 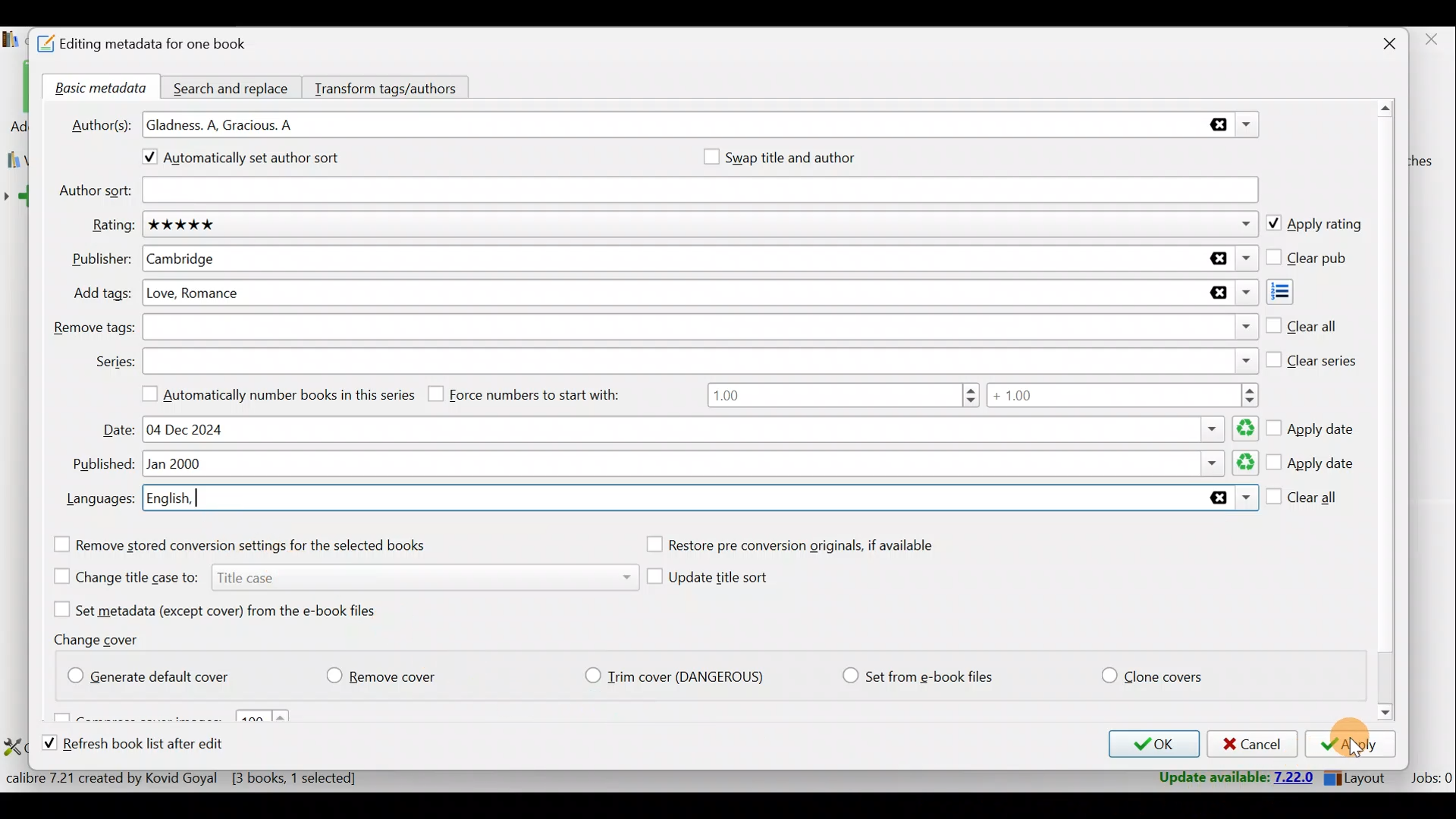 What do you see at coordinates (210, 777) in the screenshot?
I see `Statistics` at bounding box center [210, 777].